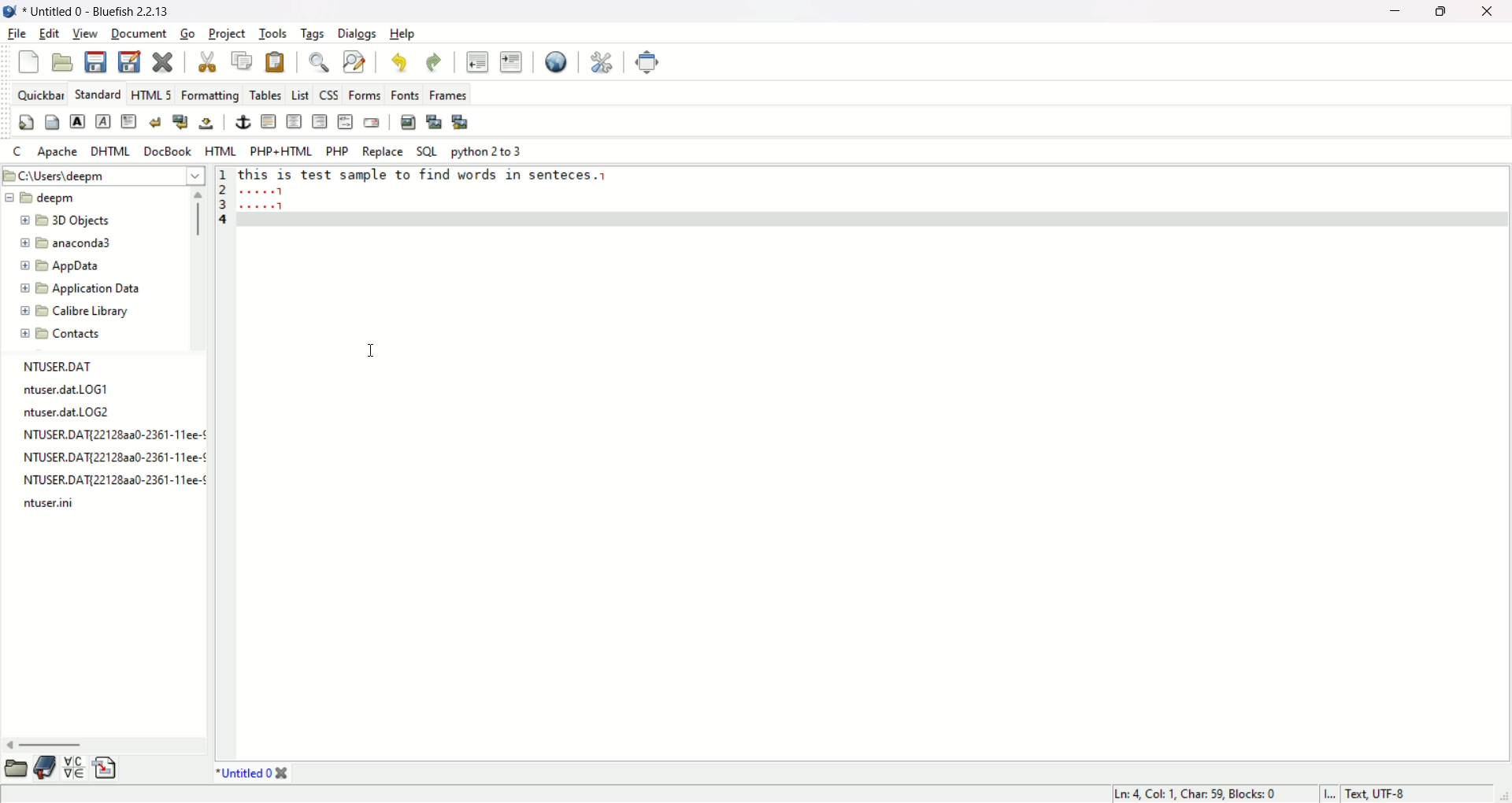 This screenshot has height=803, width=1512. What do you see at coordinates (93, 266) in the screenshot?
I see `AppData` at bounding box center [93, 266].